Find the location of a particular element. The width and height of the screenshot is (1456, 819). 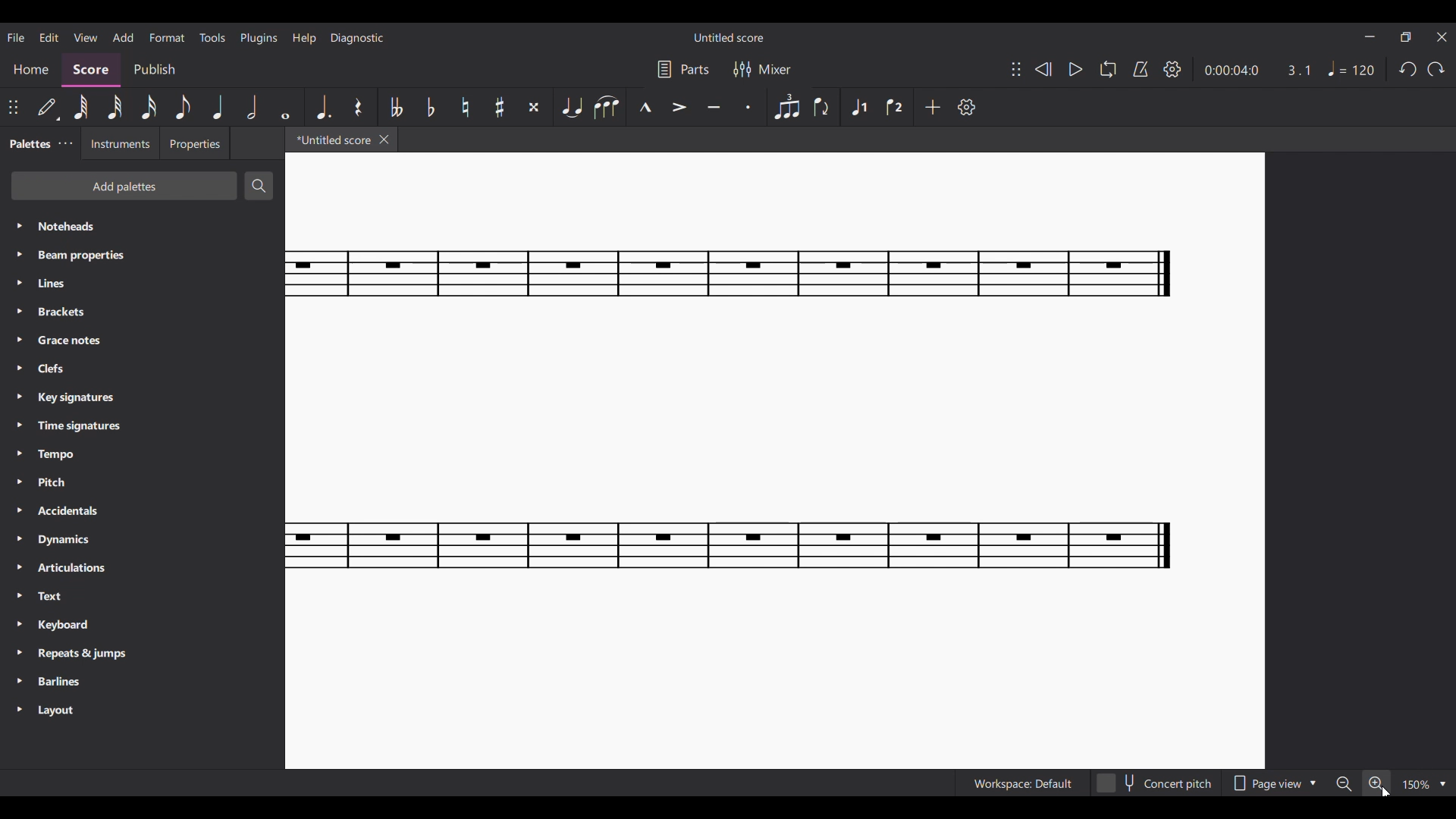

Score, current section highlighted is located at coordinates (91, 71).